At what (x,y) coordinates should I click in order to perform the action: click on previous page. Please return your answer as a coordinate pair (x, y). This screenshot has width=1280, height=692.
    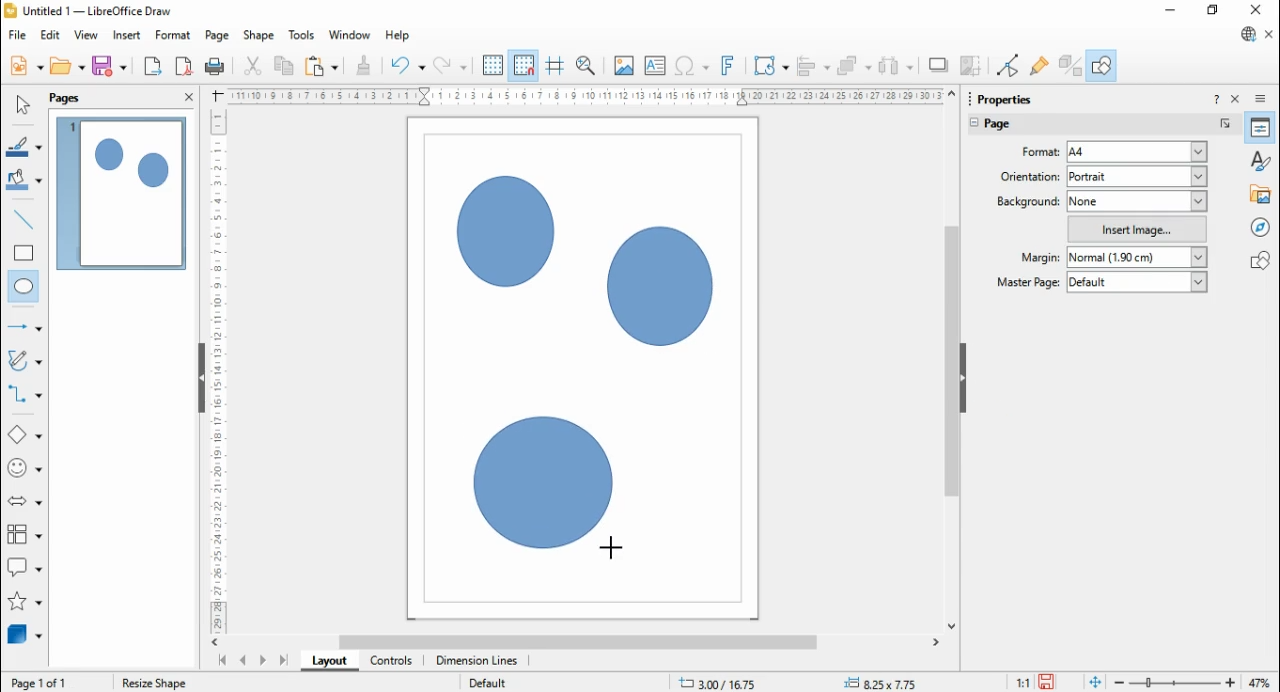
    Looking at the image, I should click on (244, 661).